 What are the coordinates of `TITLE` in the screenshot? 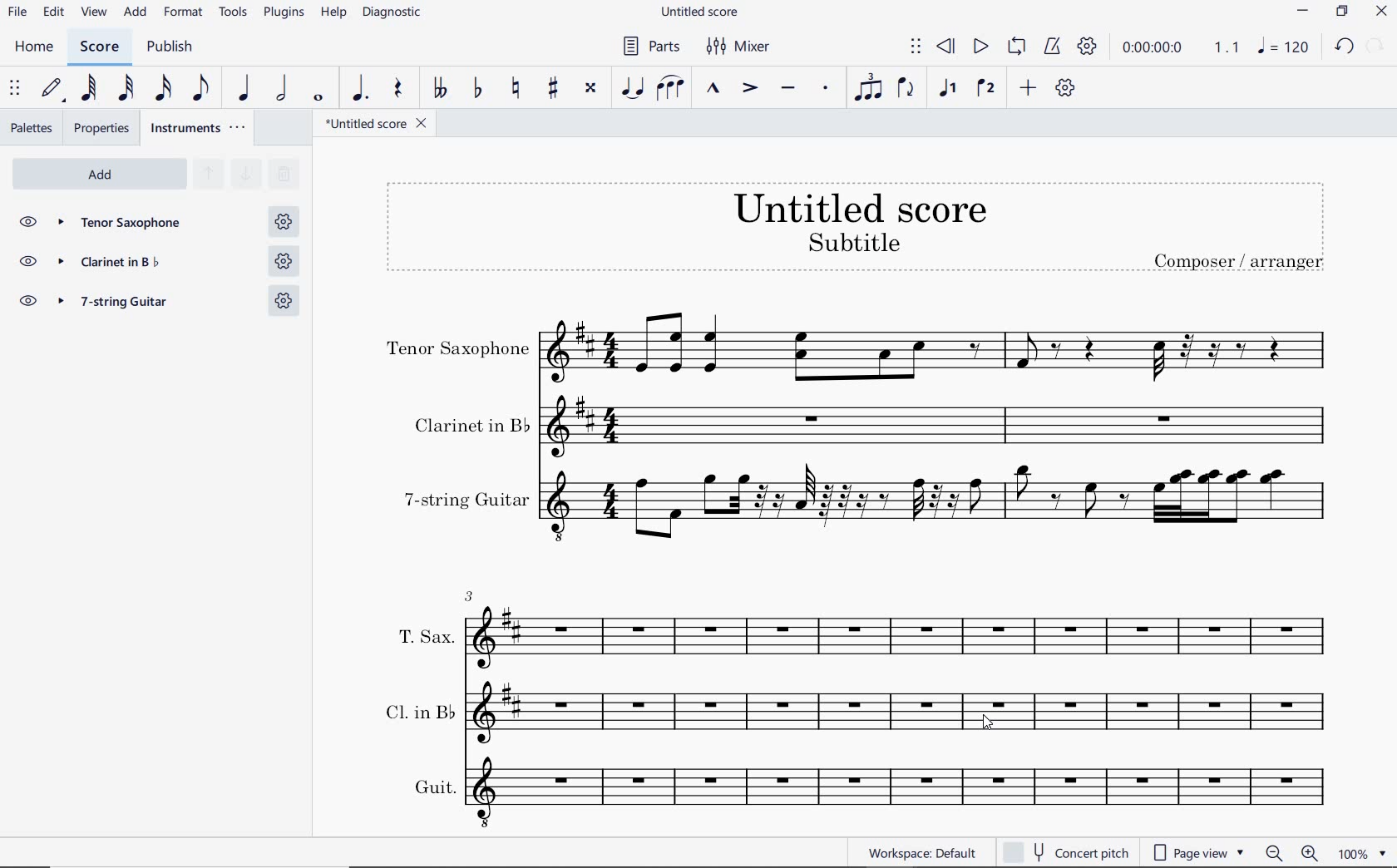 It's located at (857, 225).